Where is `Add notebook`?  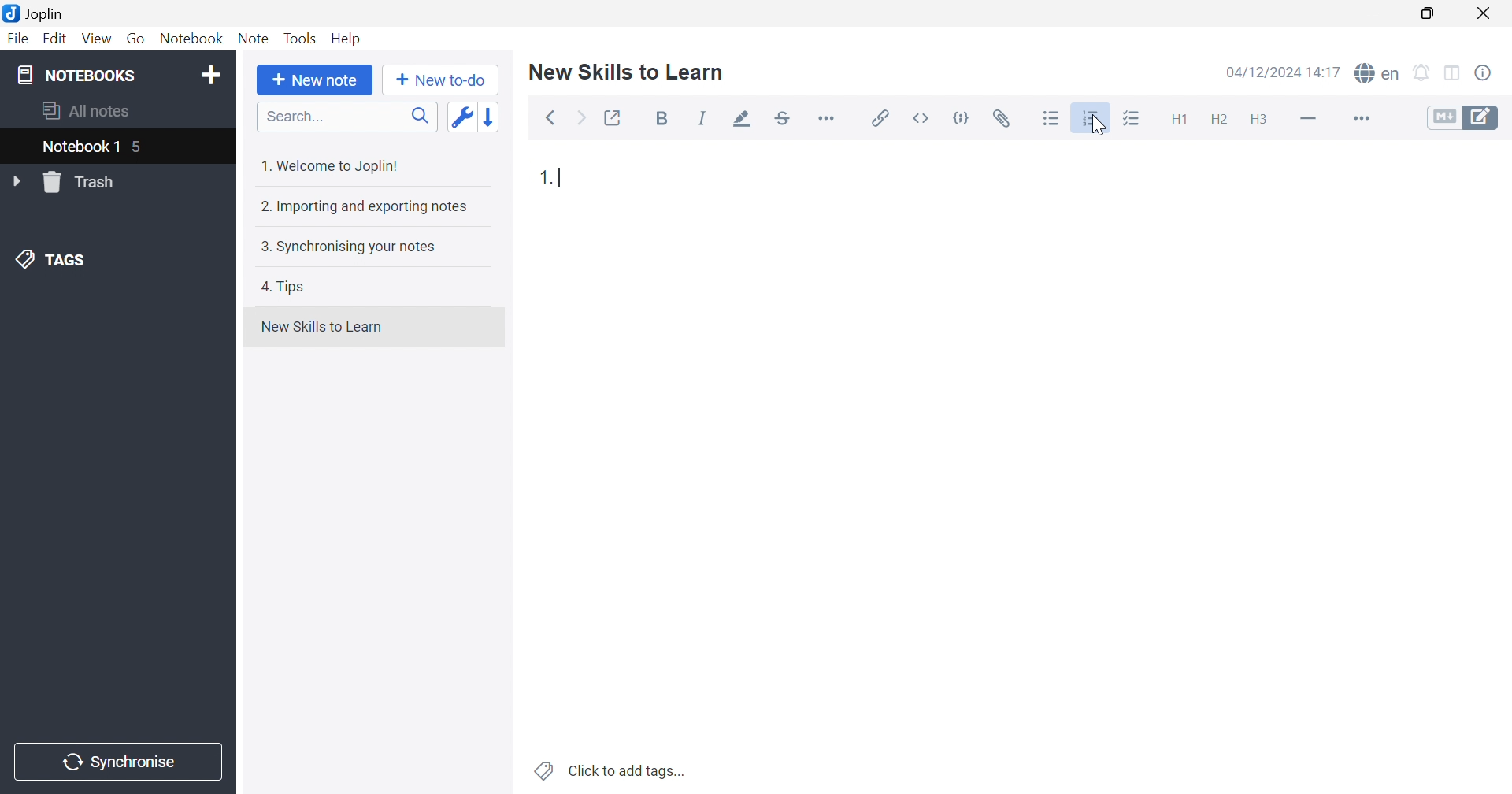 Add notebook is located at coordinates (211, 77).